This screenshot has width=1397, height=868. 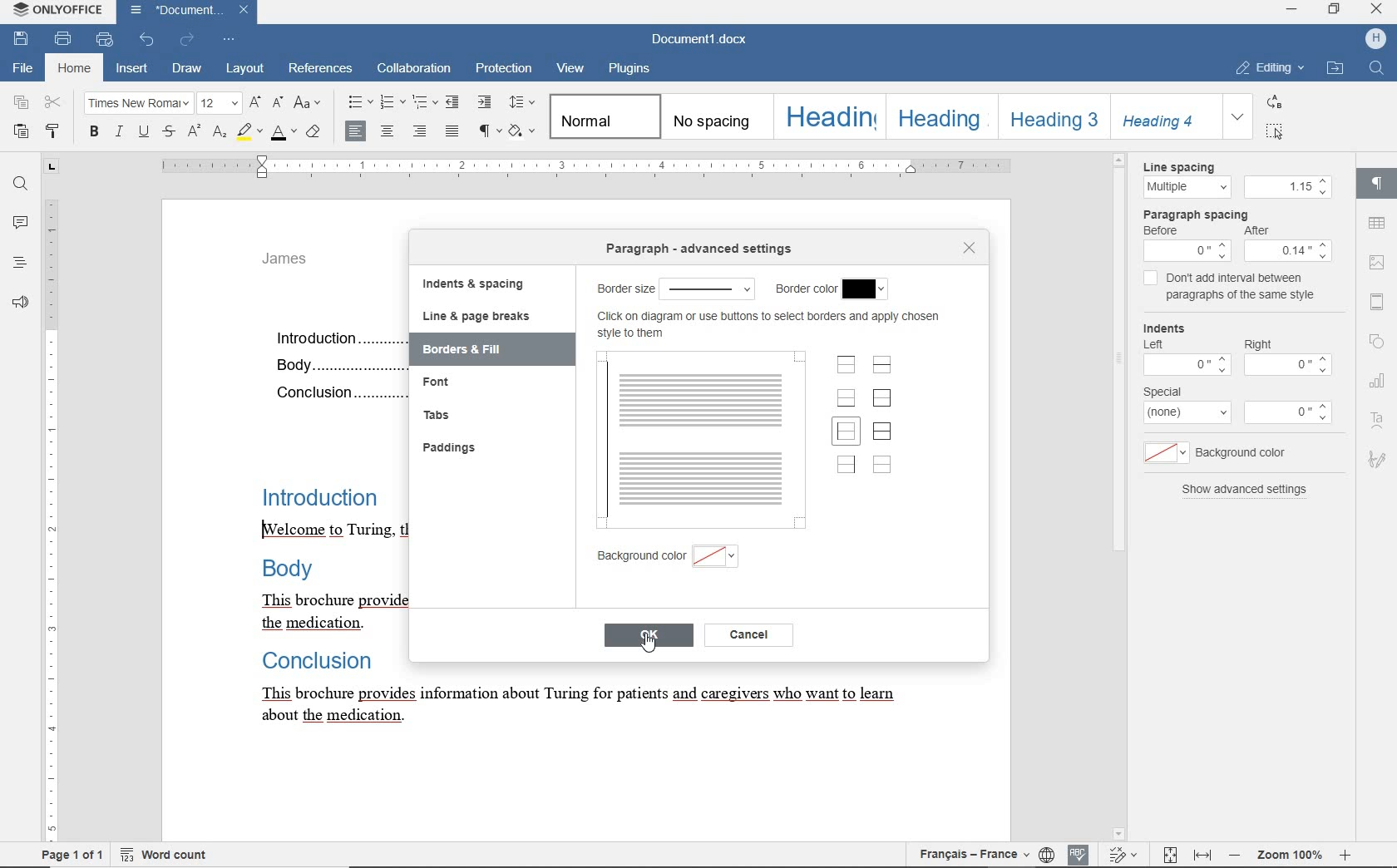 What do you see at coordinates (421, 133) in the screenshot?
I see `align right` at bounding box center [421, 133].